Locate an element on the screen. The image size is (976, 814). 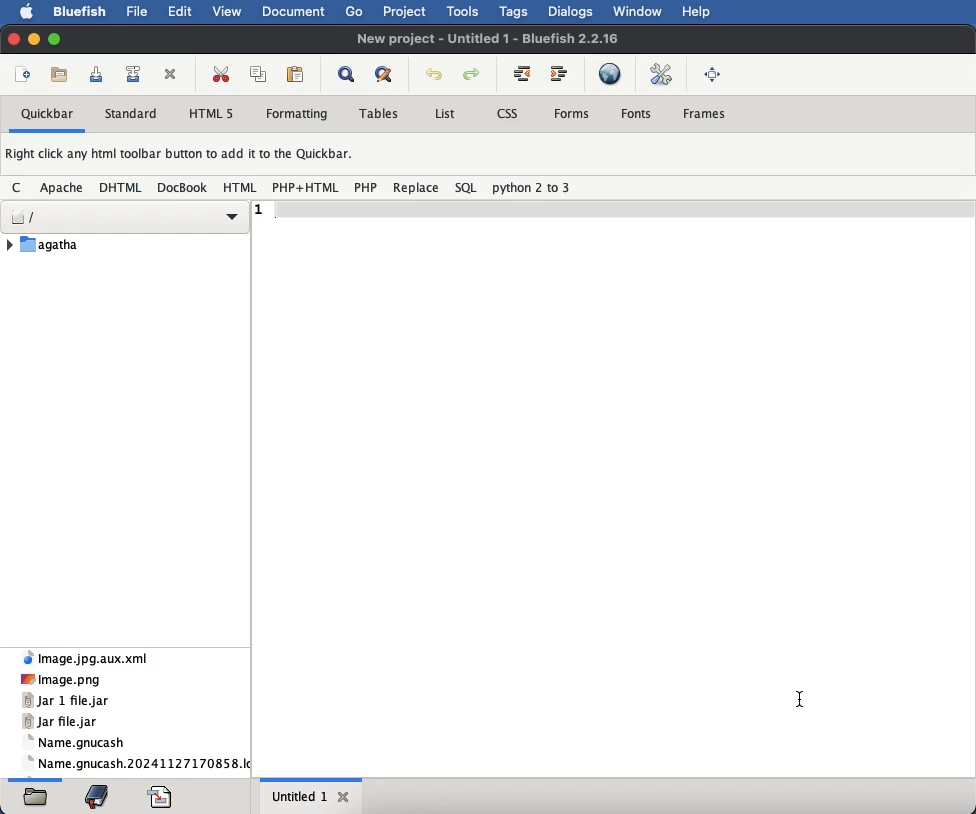
file is located at coordinates (124, 244).